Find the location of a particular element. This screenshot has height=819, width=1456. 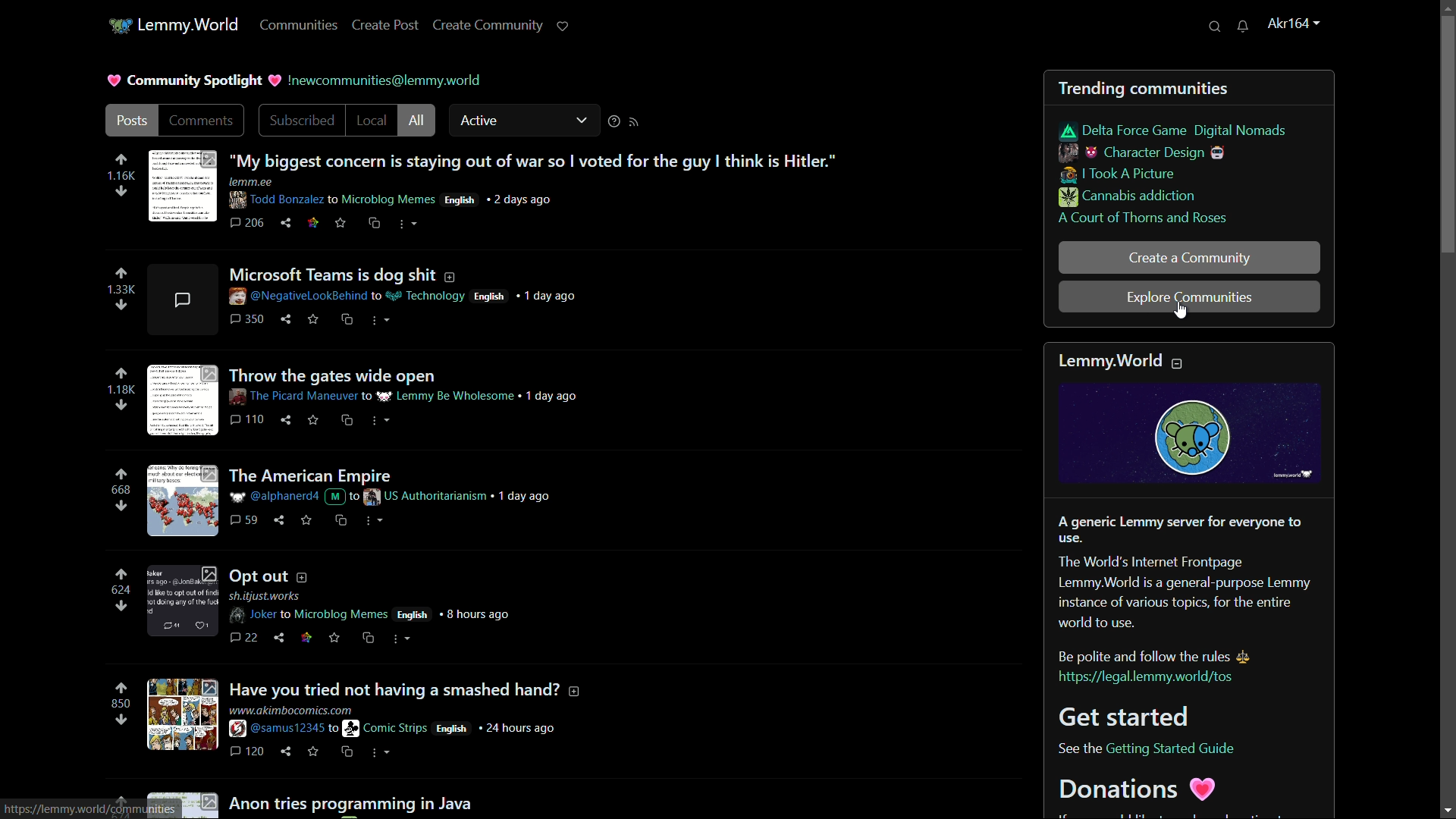

post details is located at coordinates (399, 723).